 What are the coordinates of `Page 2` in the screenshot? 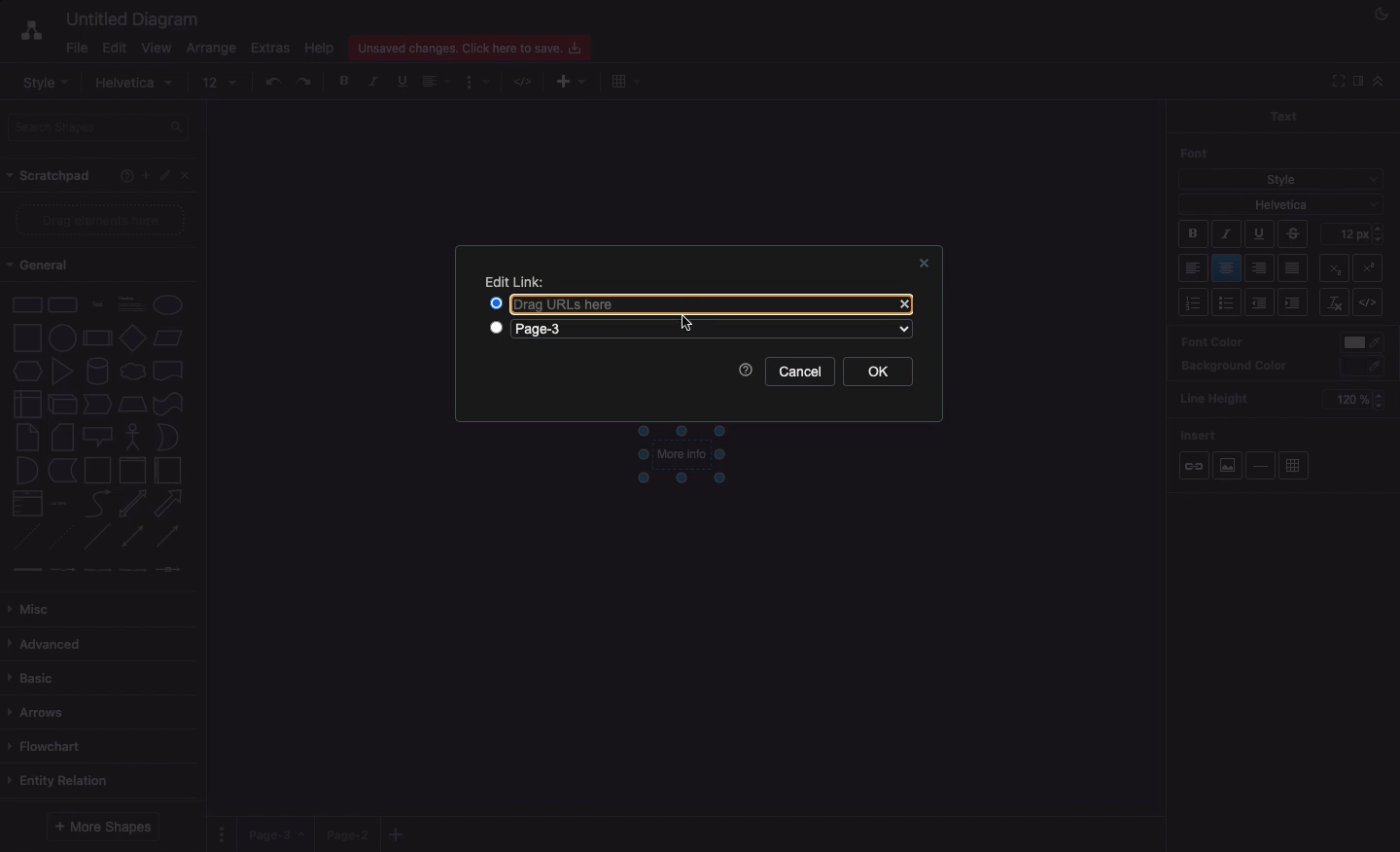 It's located at (345, 834).